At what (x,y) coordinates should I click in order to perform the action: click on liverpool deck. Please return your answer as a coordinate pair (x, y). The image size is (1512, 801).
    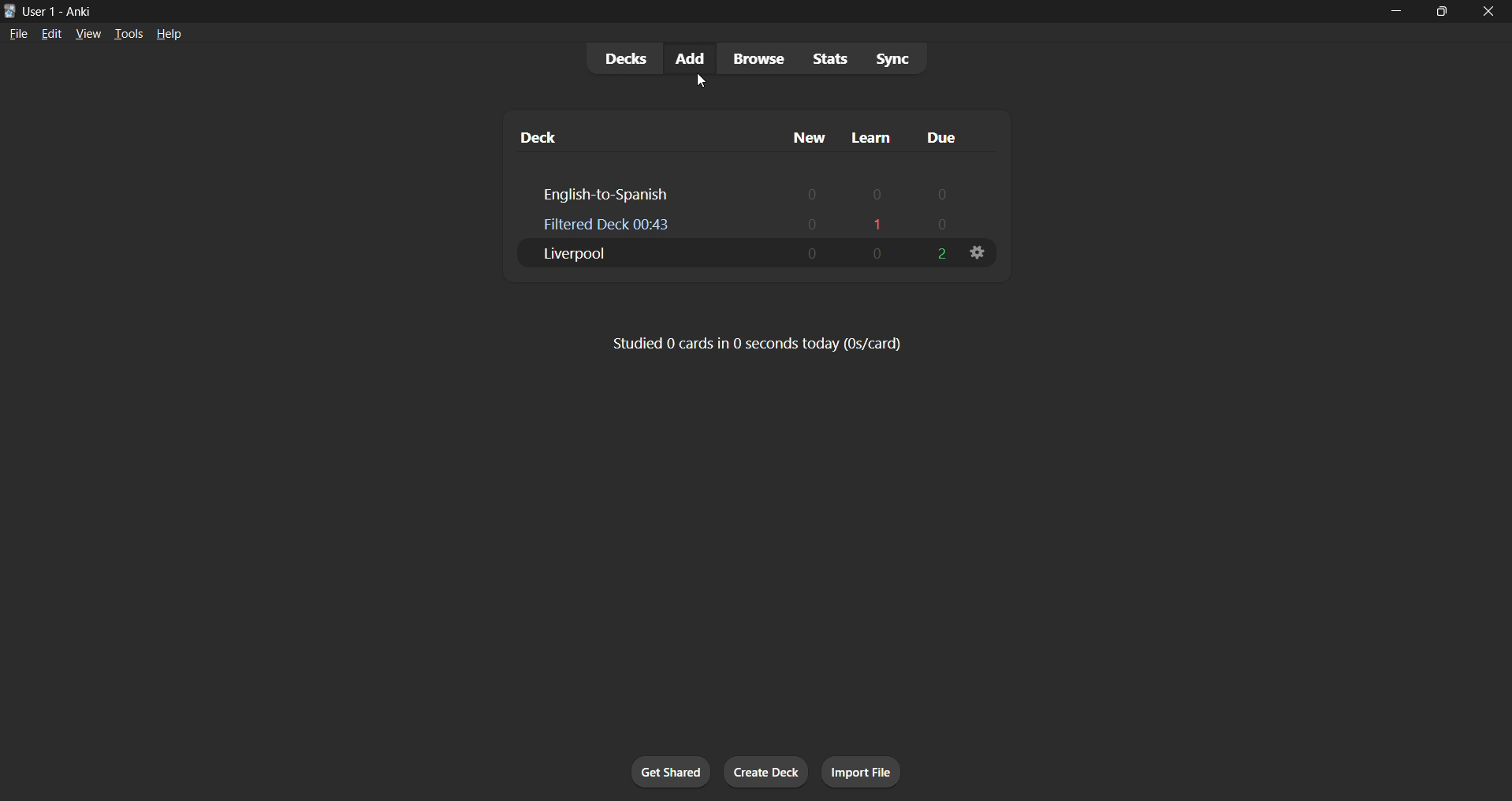
    Looking at the image, I should click on (736, 252).